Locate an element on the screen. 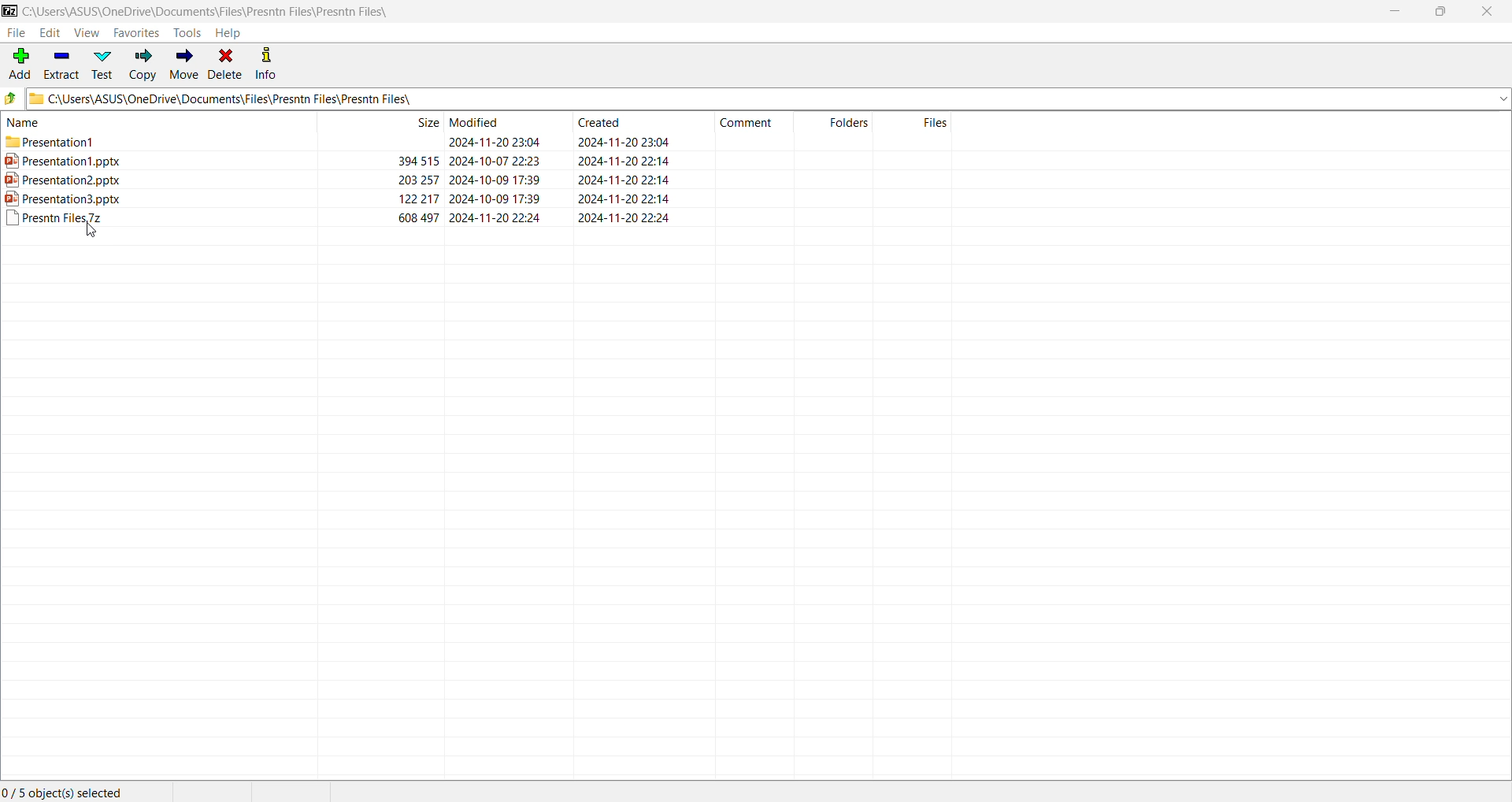 This screenshot has width=1512, height=802. Move is located at coordinates (184, 65).